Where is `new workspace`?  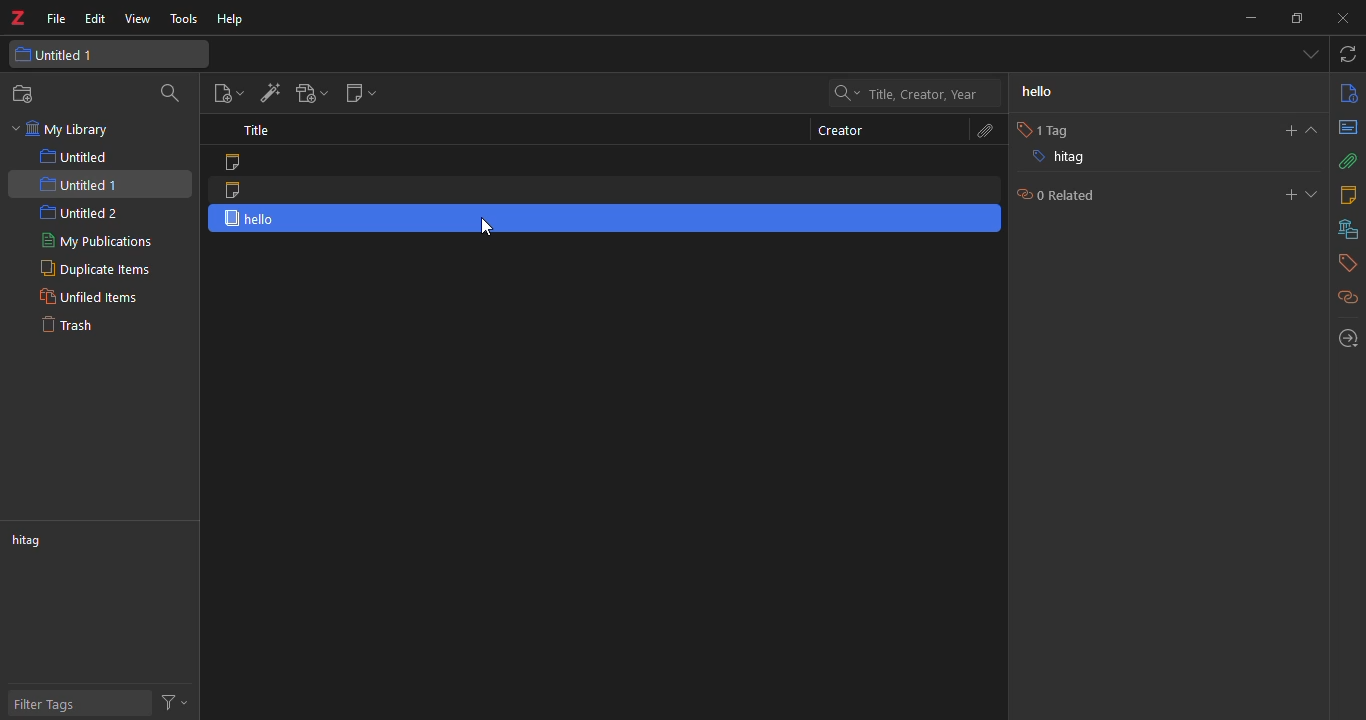
new workspace is located at coordinates (25, 93).